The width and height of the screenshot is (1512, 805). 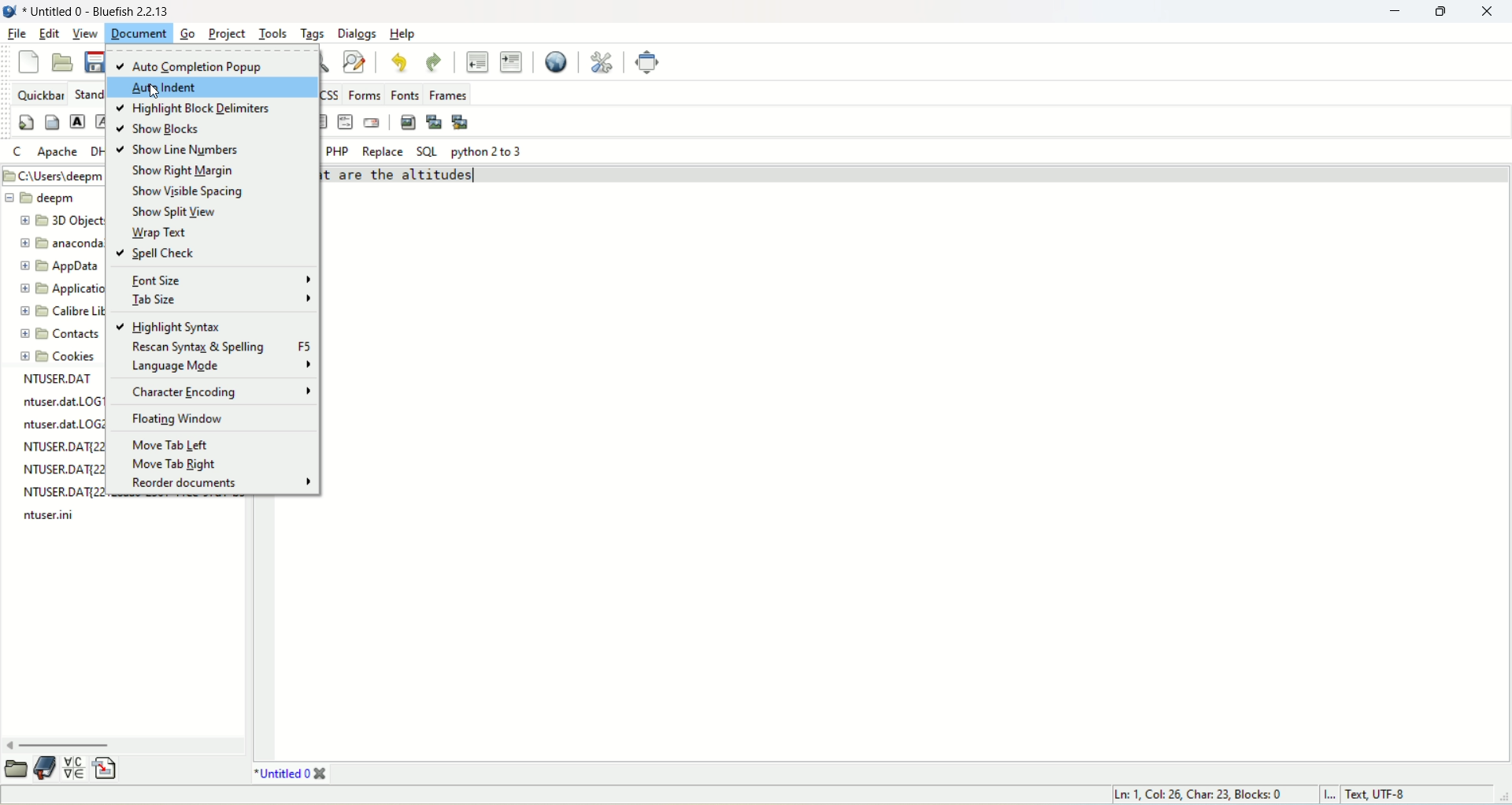 I want to click on show blocks, so click(x=161, y=129).